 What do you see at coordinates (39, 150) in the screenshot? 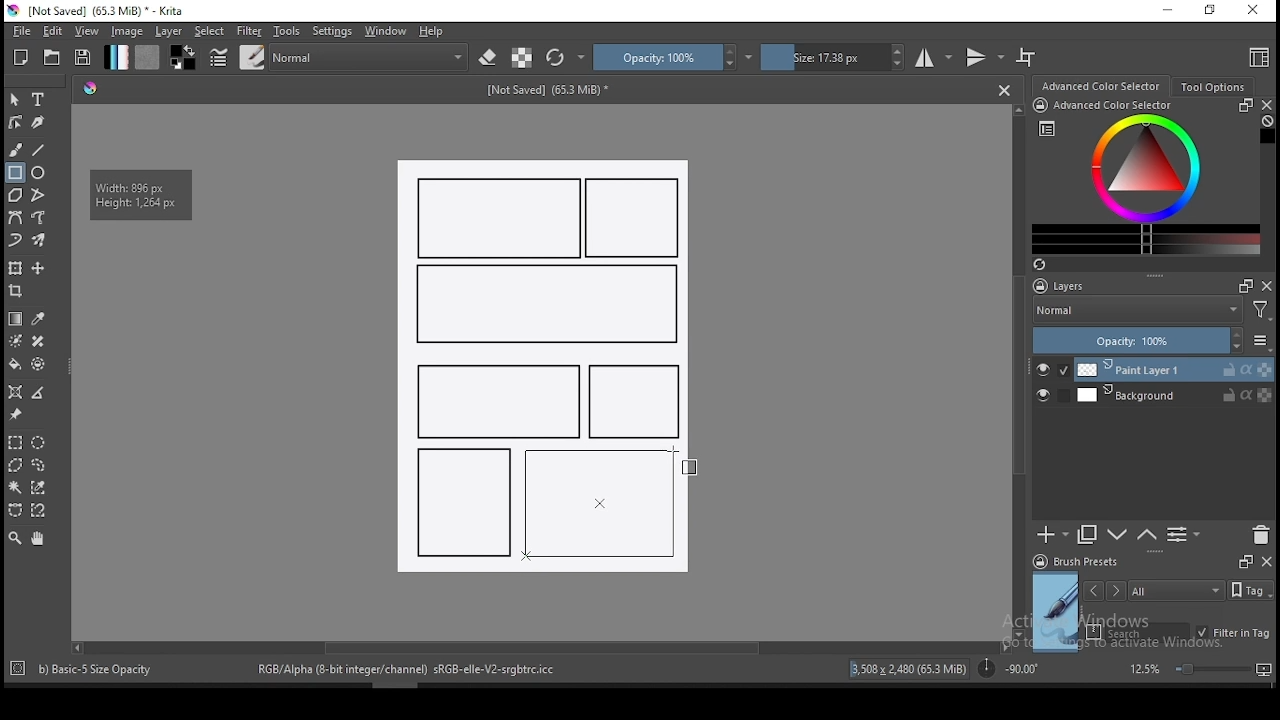
I see `line tool` at bounding box center [39, 150].